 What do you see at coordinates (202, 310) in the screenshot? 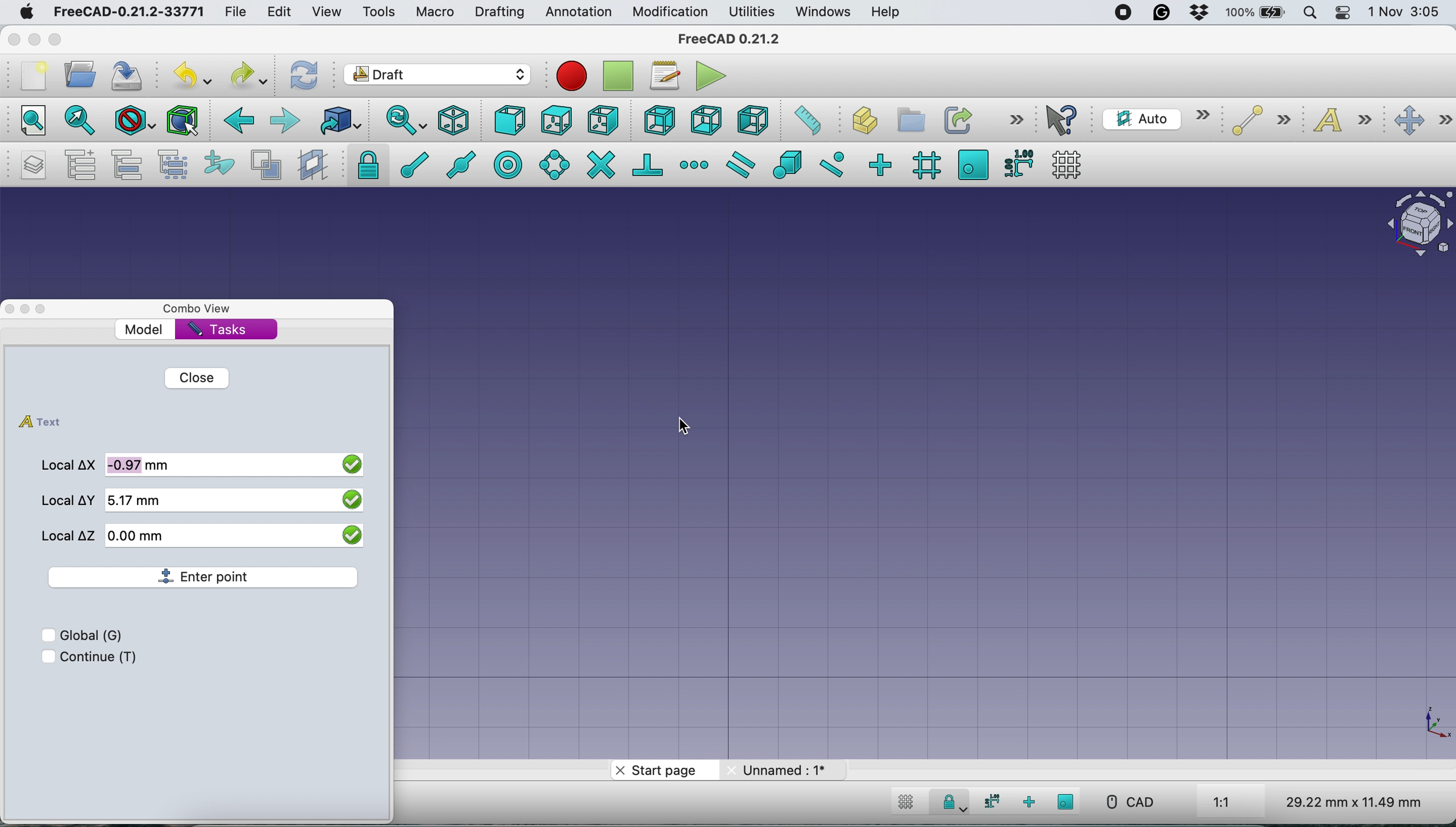
I see `combo view` at bounding box center [202, 310].